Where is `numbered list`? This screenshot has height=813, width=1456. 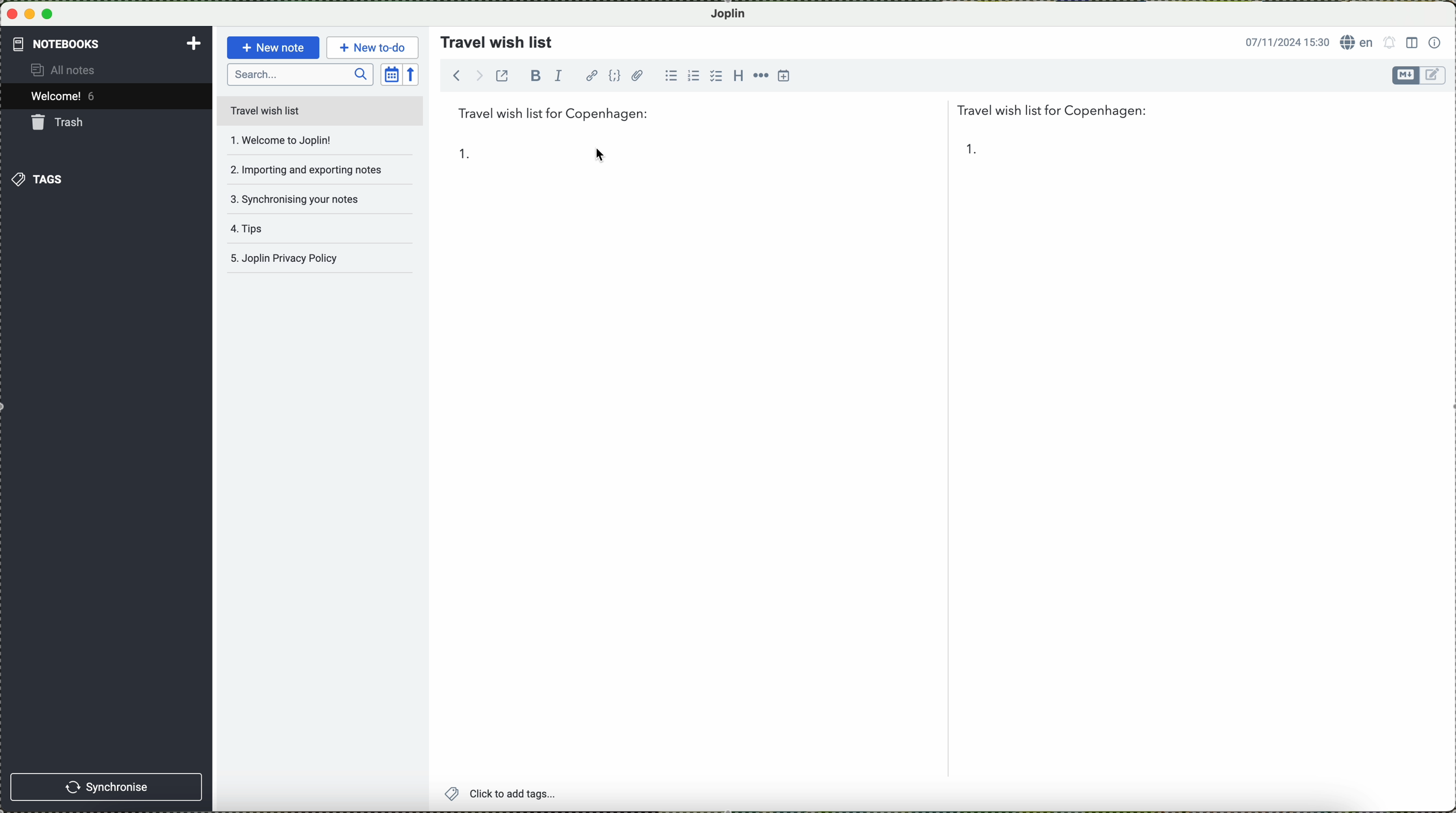
numbered list is located at coordinates (693, 71).